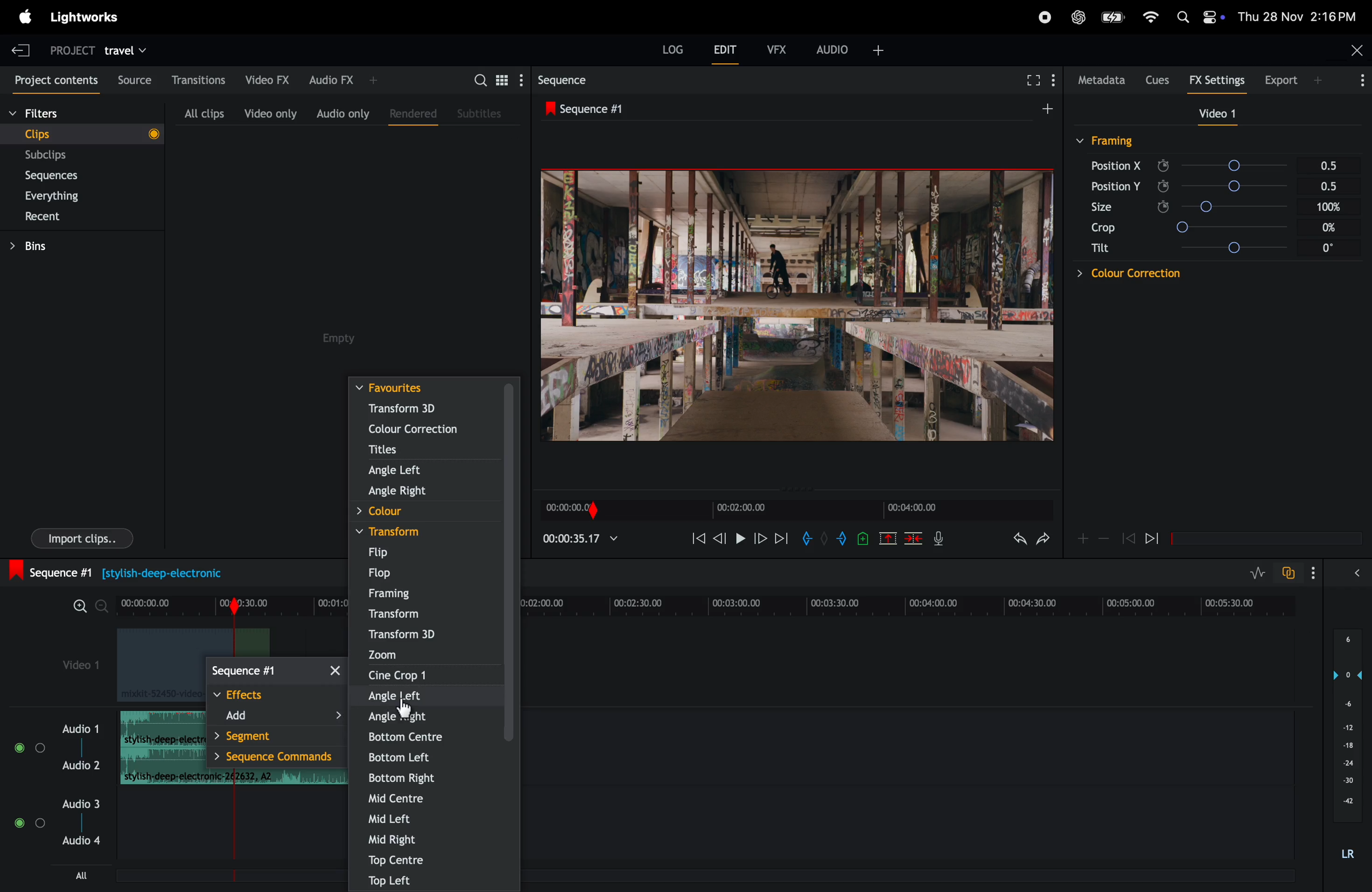 The height and width of the screenshot is (892, 1372). Describe the element at coordinates (430, 778) in the screenshot. I see `bottom right` at that location.